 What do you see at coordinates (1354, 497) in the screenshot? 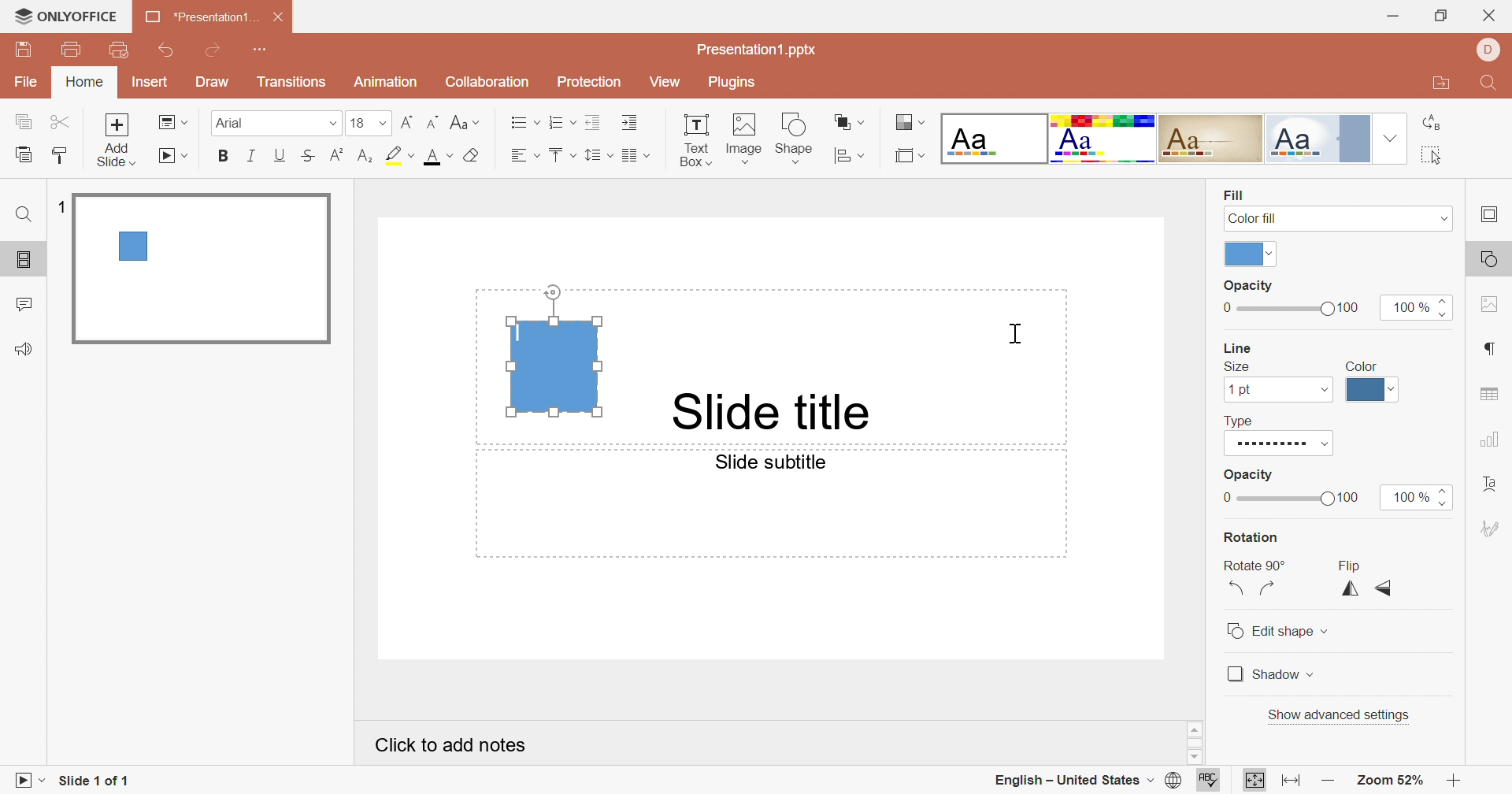
I see `100` at bounding box center [1354, 497].